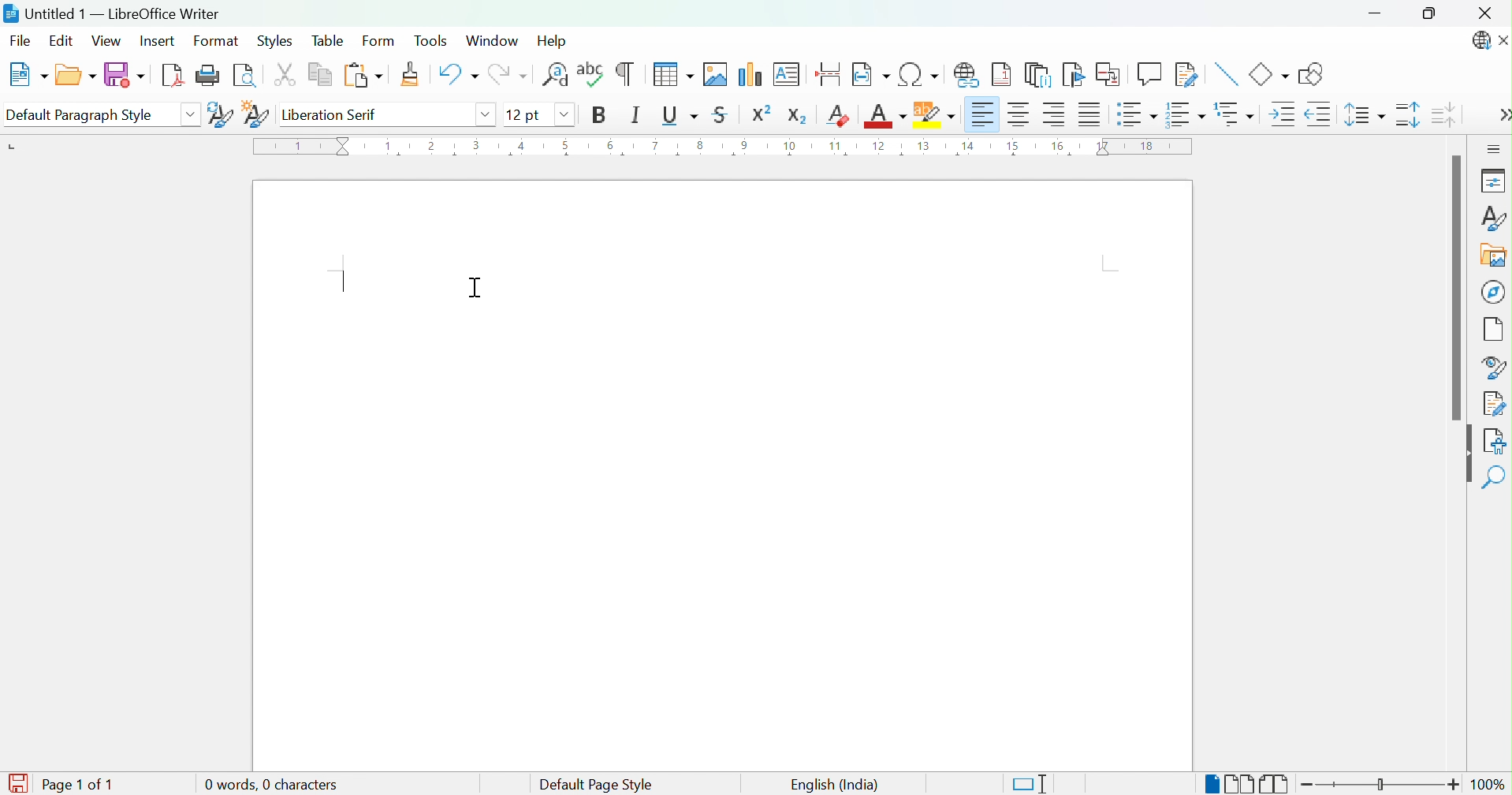 The image size is (1512, 795). I want to click on Increase Indent, so click(1279, 114).